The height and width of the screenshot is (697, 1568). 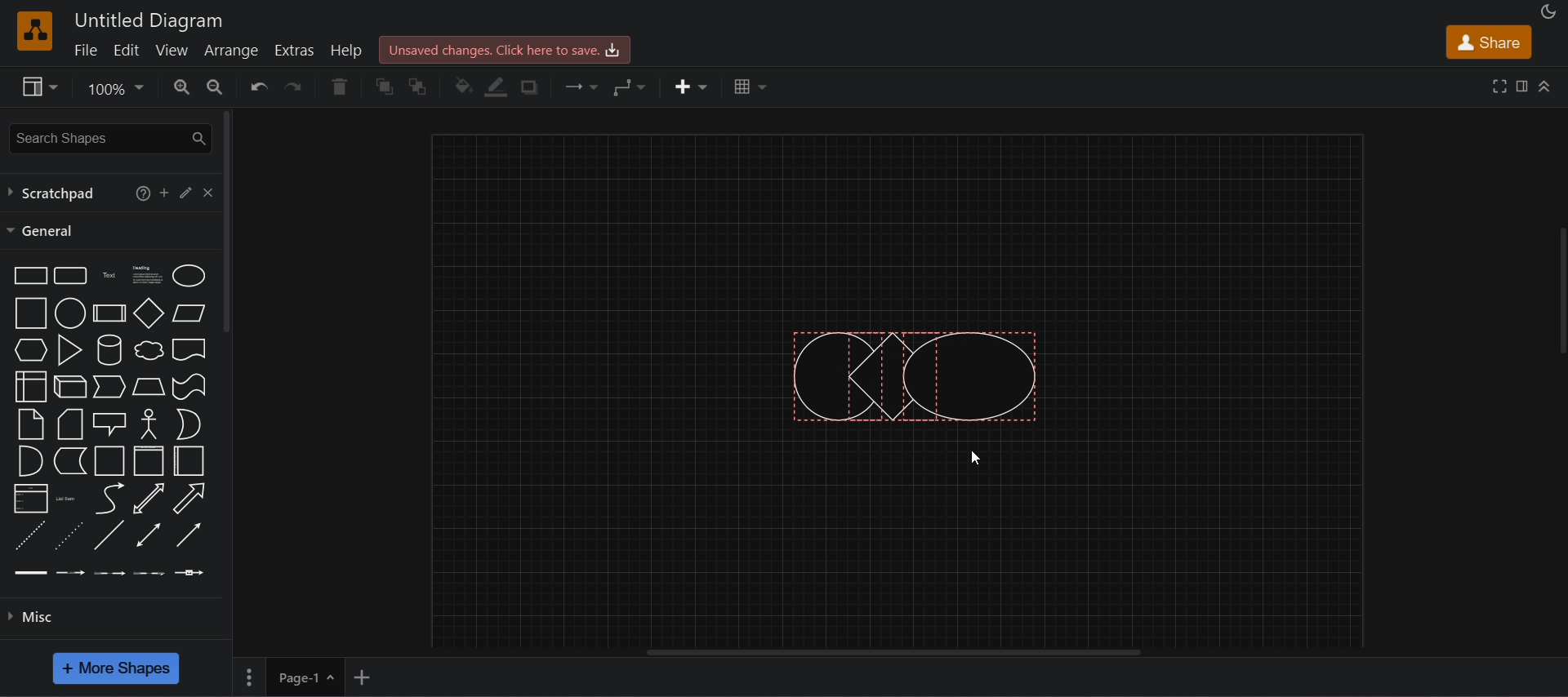 What do you see at coordinates (108, 535) in the screenshot?
I see `line` at bounding box center [108, 535].